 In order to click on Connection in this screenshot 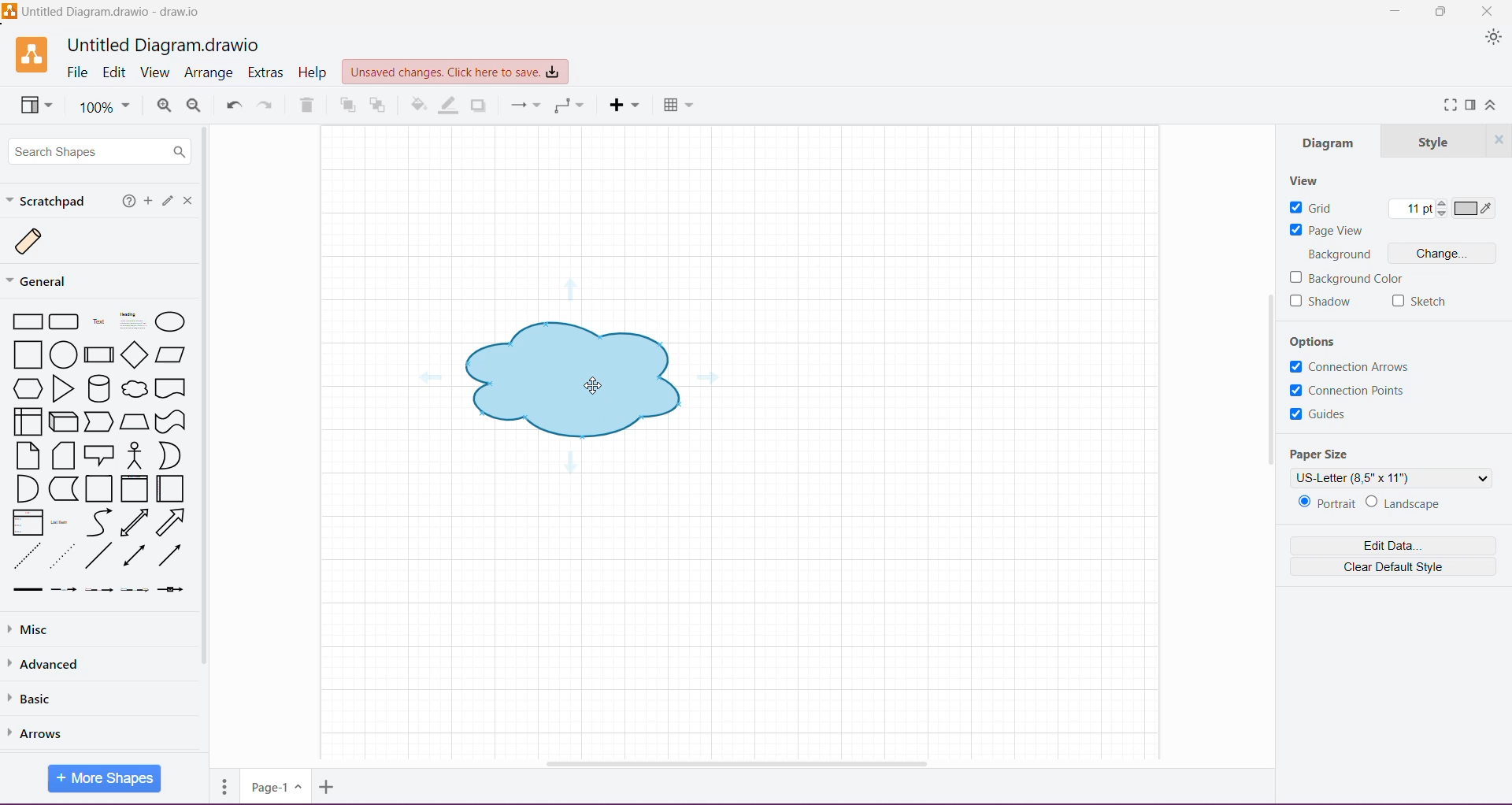, I will do `click(524, 106)`.